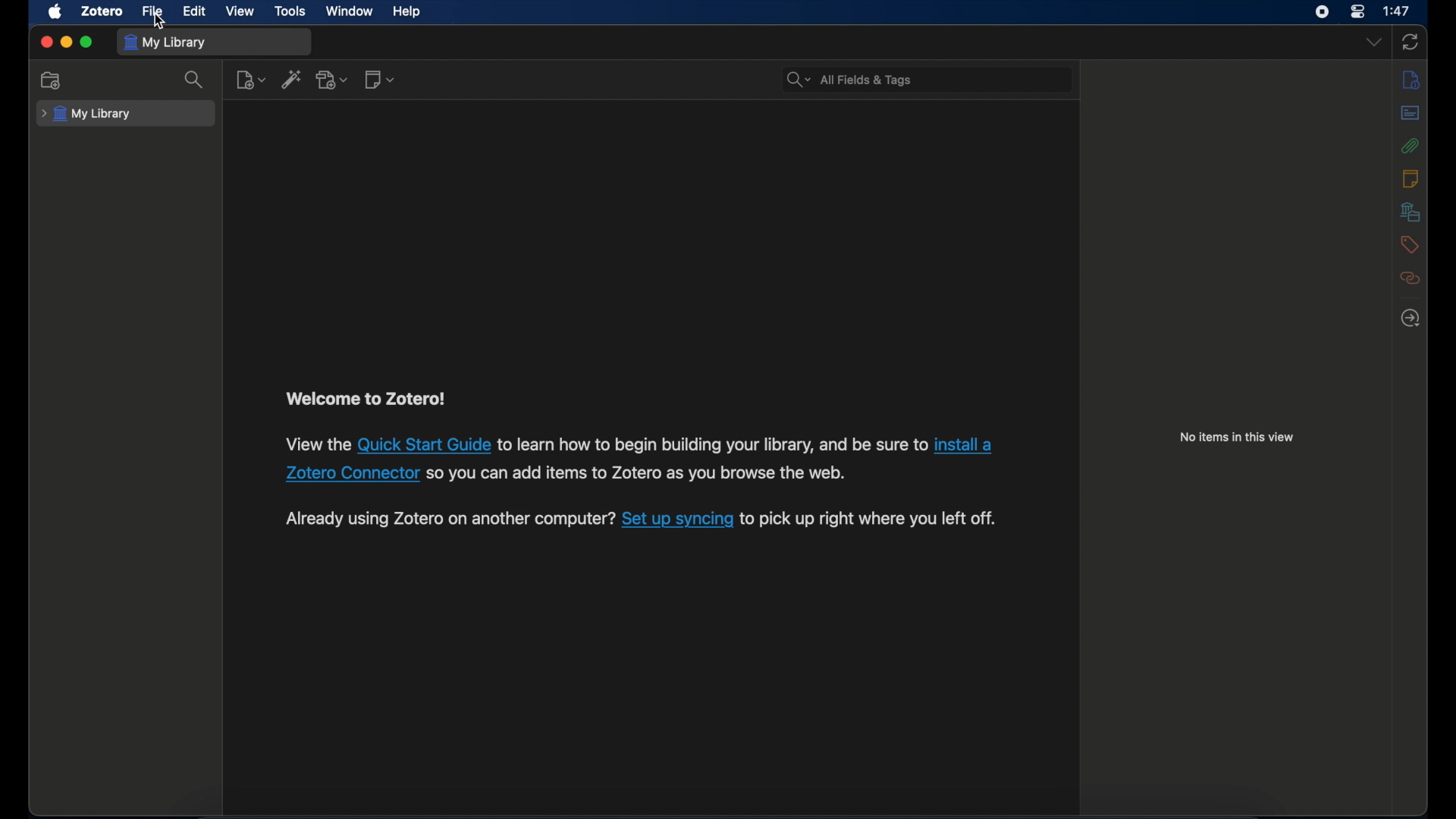 The height and width of the screenshot is (819, 1456). I want to click on screen recorder, so click(1323, 11).